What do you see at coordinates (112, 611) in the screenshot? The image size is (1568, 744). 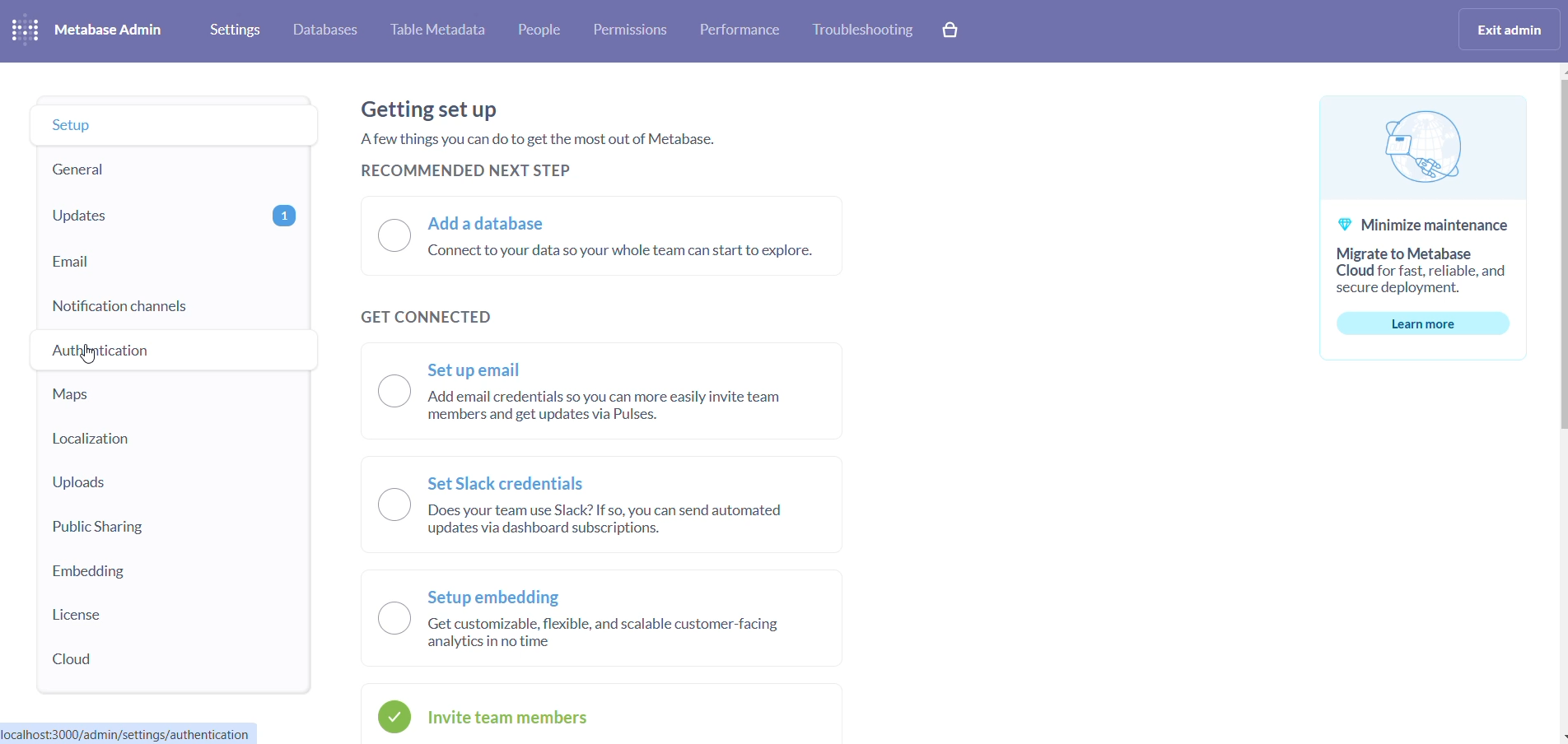 I see `license` at bounding box center [112, 611].